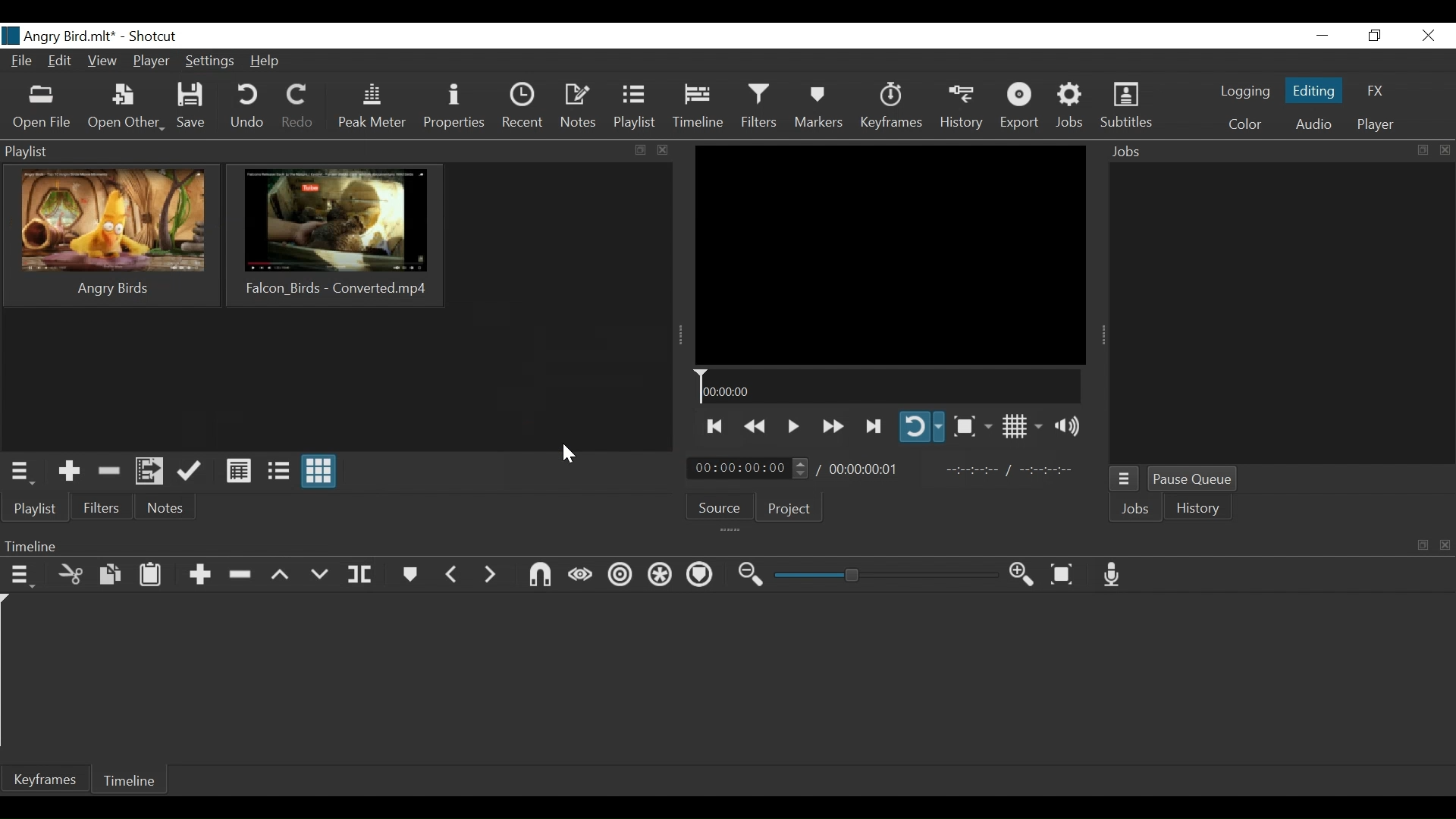  I want to click on Subtitles, so click(1127, 106).